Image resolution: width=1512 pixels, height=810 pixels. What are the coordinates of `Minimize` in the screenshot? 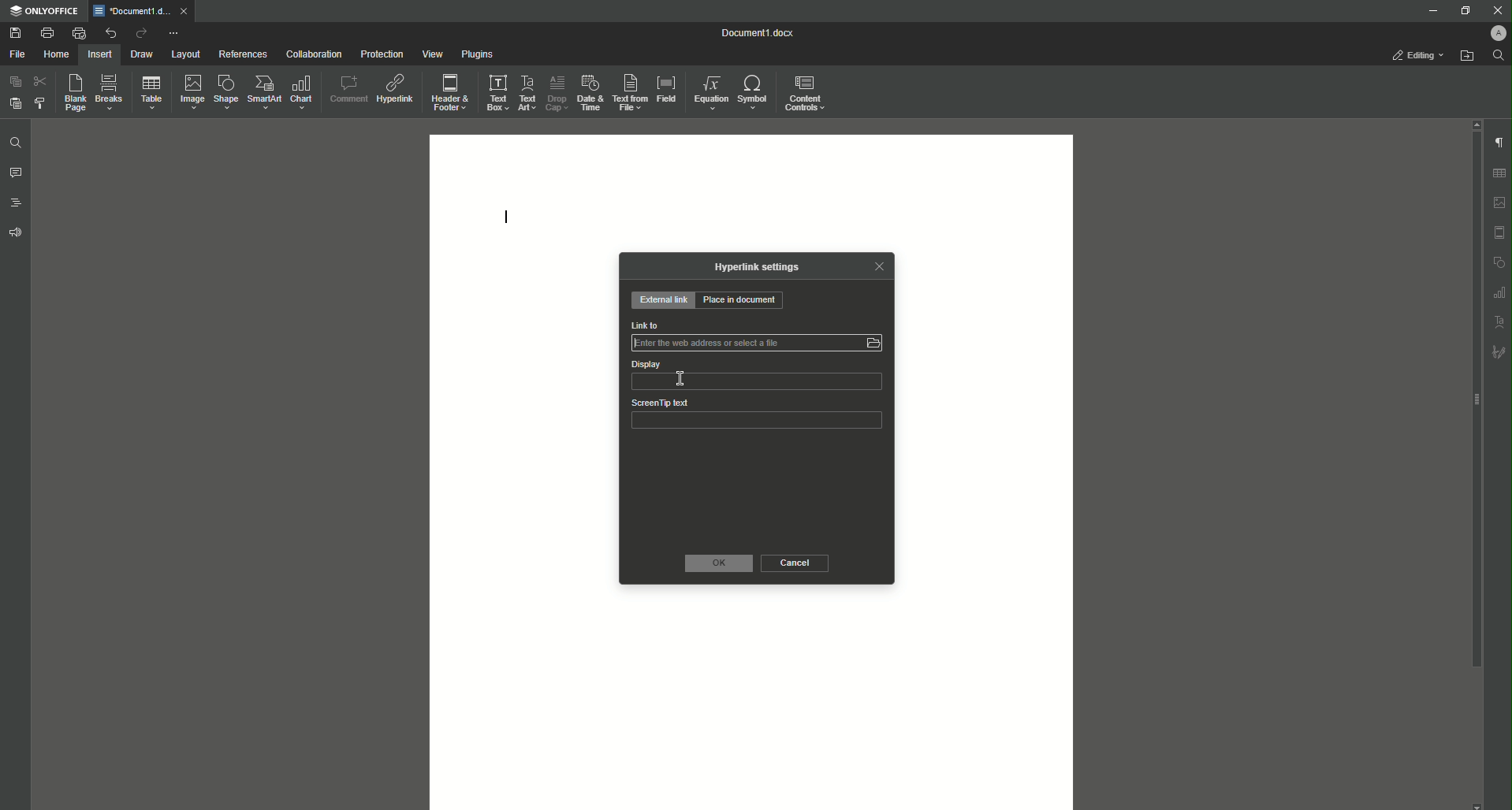 It's located at (1427, 10).